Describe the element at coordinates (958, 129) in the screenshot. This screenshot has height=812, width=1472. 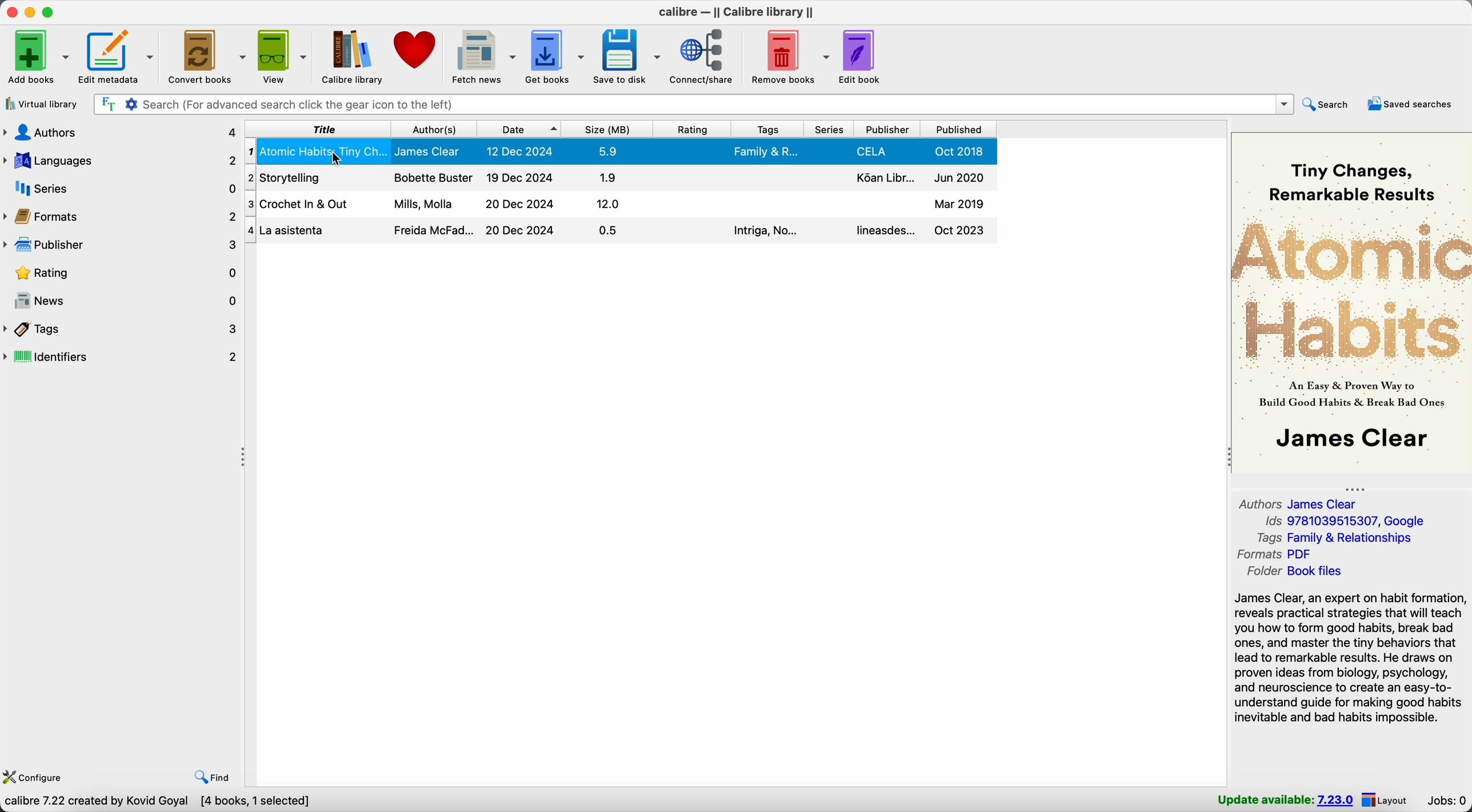
I see `published` at that location.